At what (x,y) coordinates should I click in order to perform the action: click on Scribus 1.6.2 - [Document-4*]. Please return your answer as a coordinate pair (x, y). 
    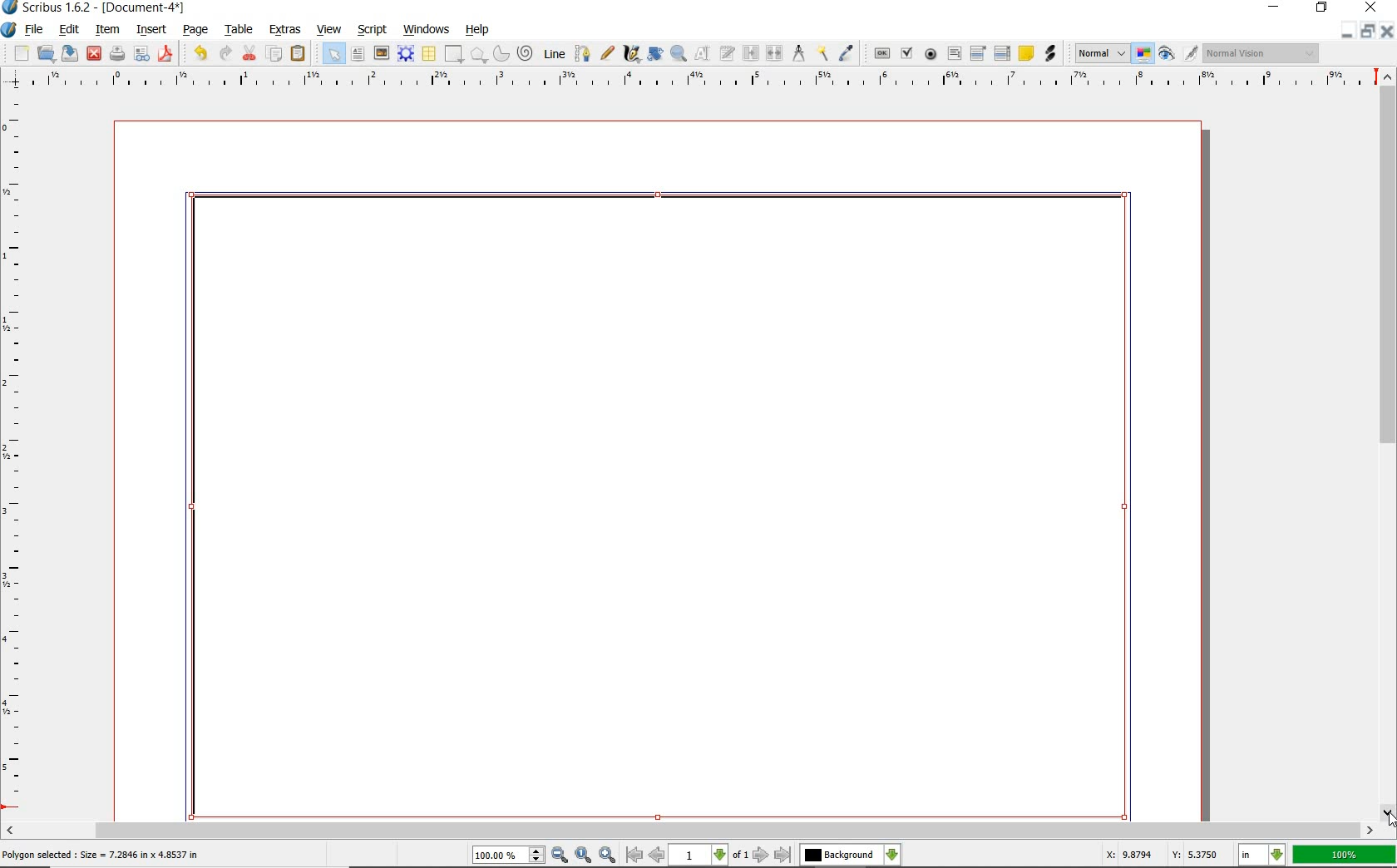
    Looking at the image, I should click on (96, 8).